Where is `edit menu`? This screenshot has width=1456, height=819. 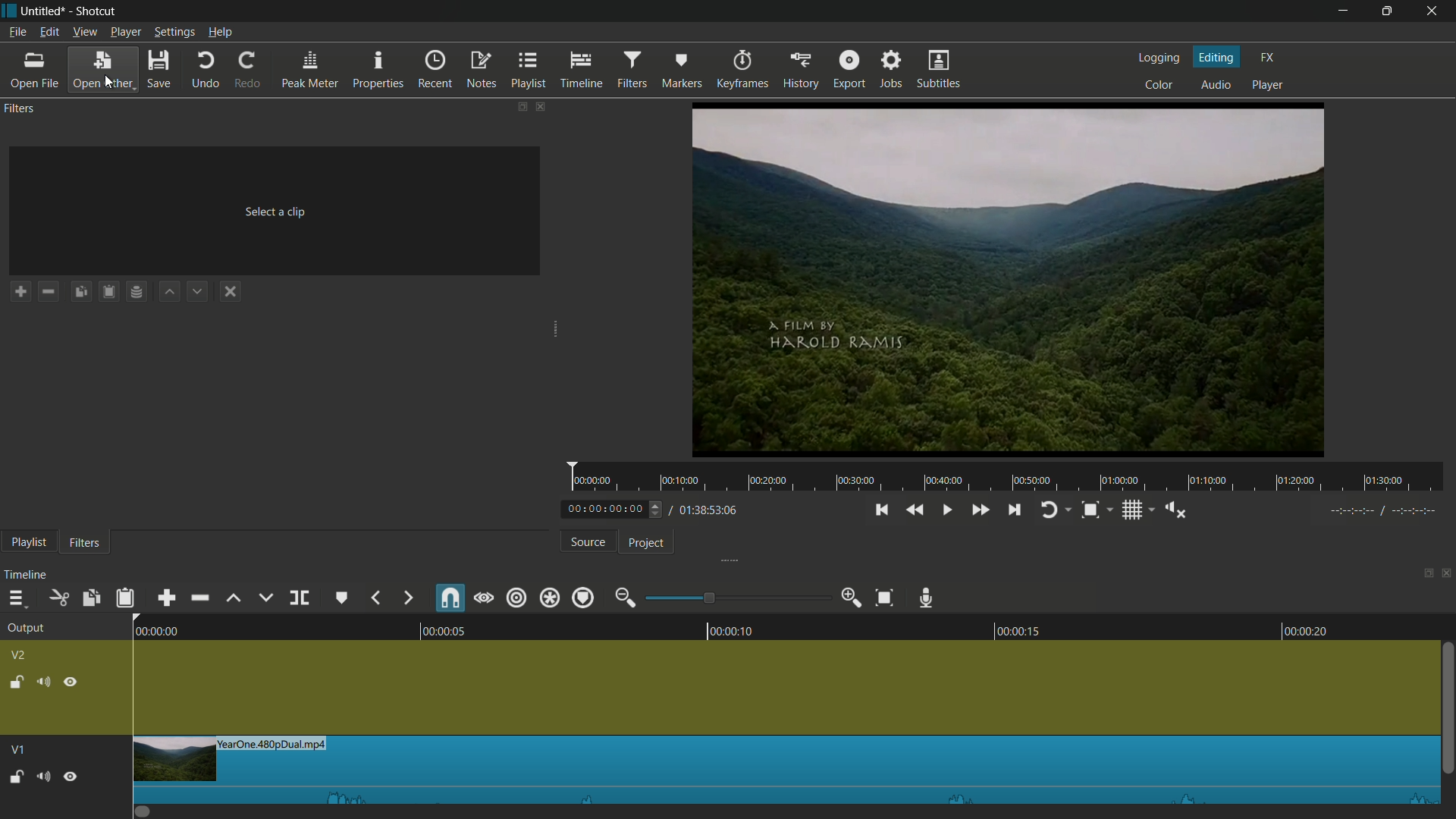
edit menu is located at coordinates (49, 32).